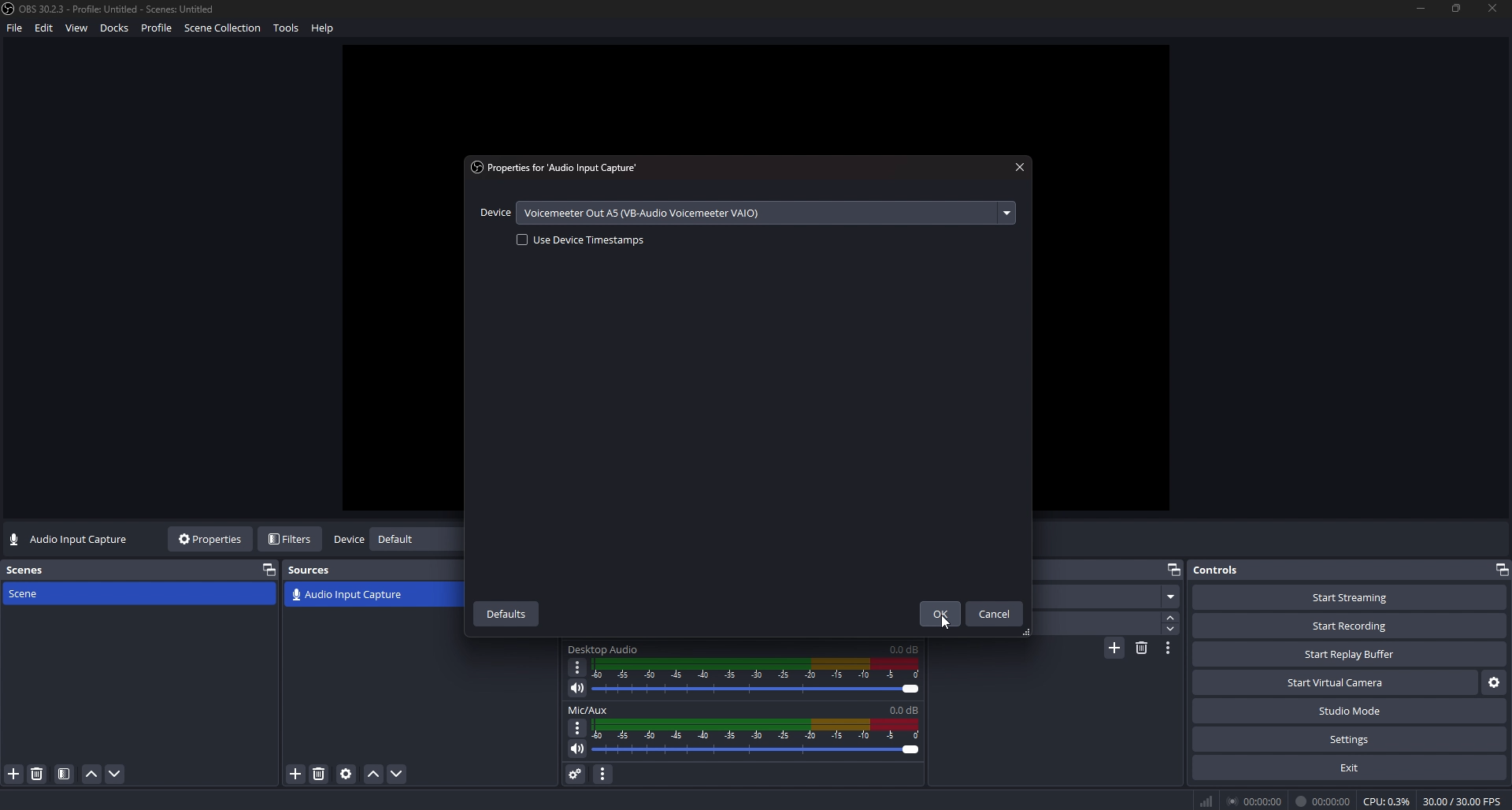 Image resolution: width=1512 pixels, height=810 pixels. I want to click on ok, so click(938, 615).